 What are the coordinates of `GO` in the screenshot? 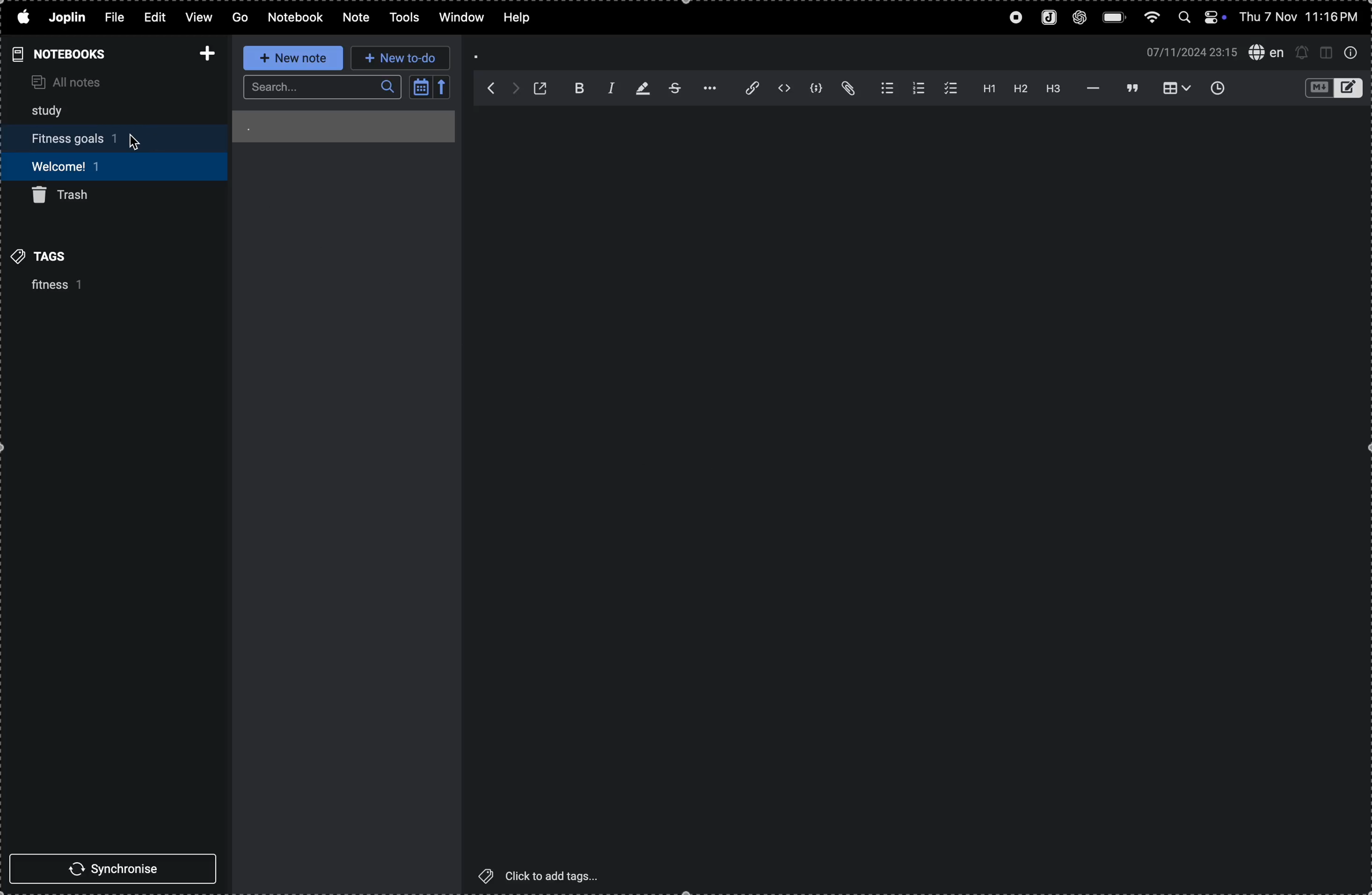 It's located at (241, 17).